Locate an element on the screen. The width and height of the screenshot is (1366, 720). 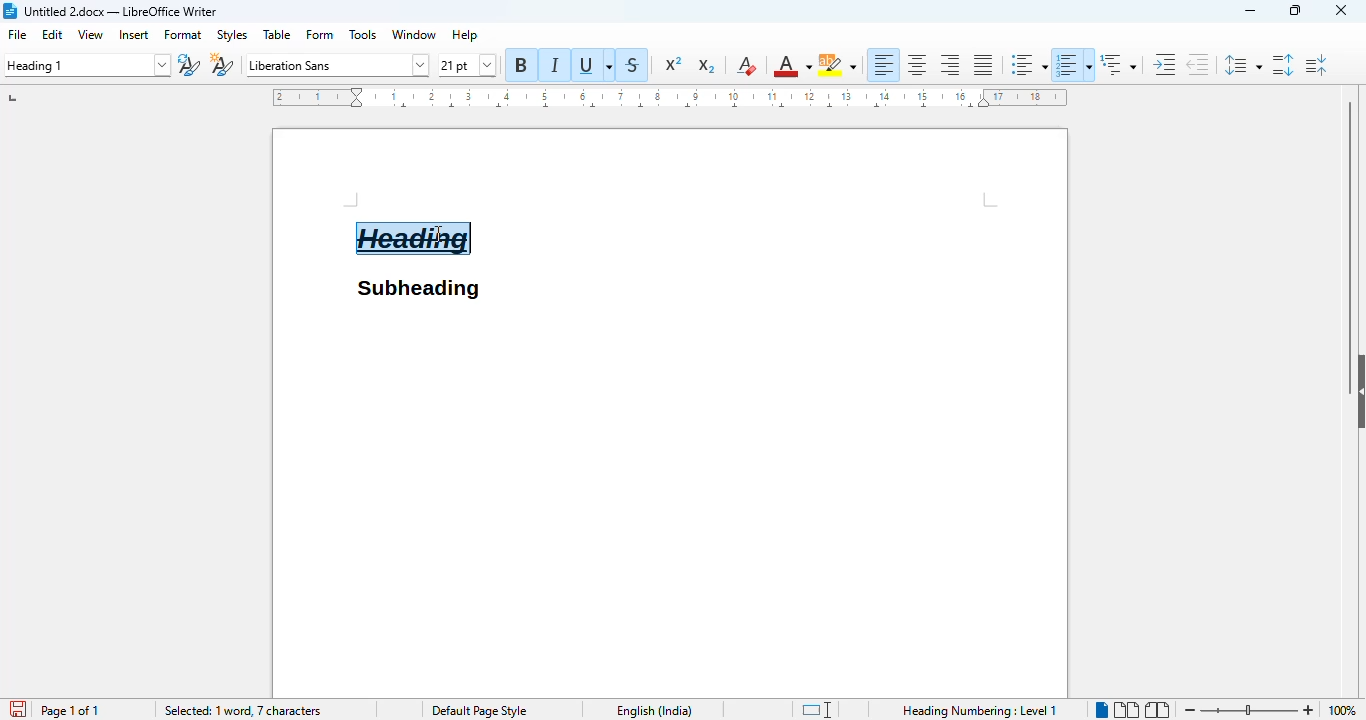
book view is located at coordinates (1156, 710).